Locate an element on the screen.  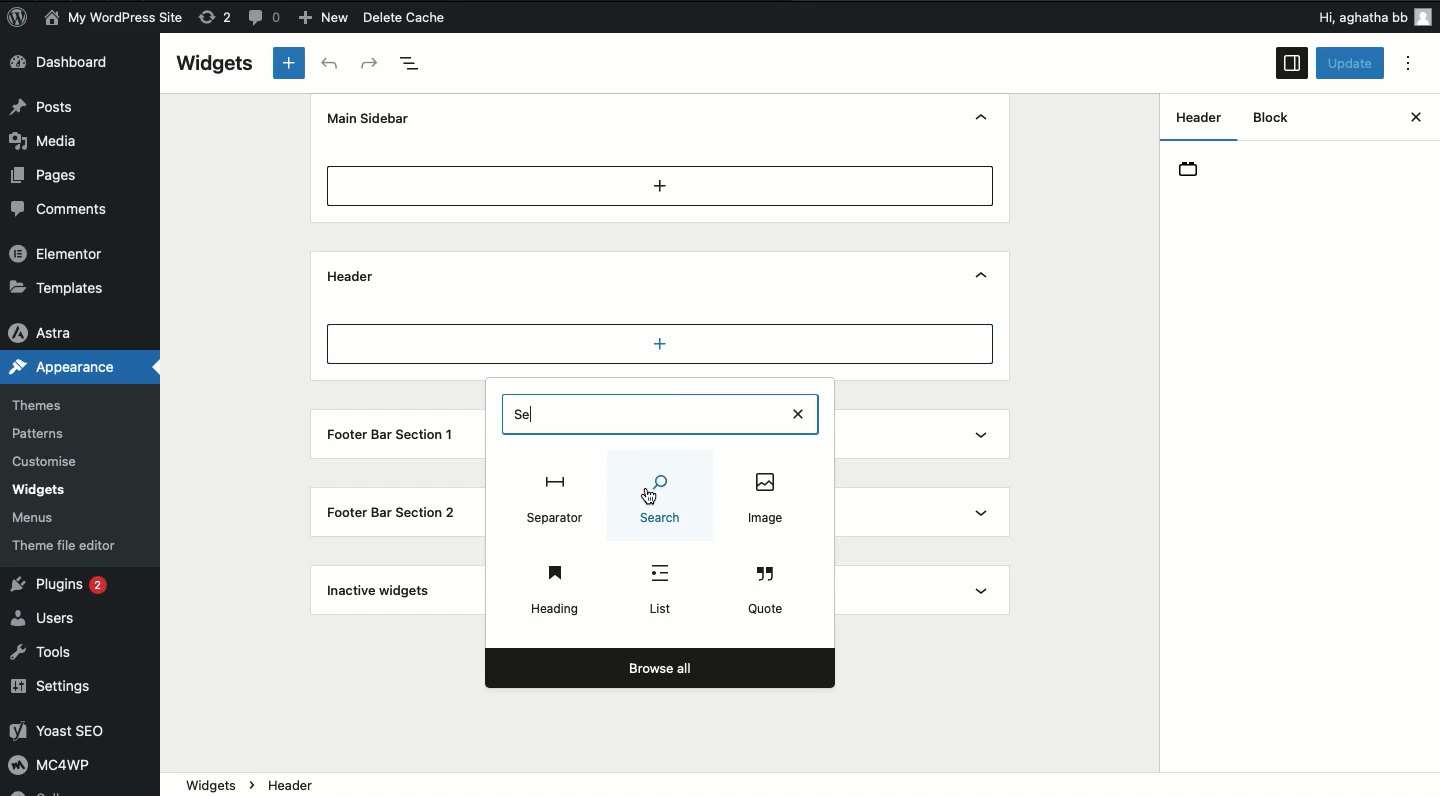
Customise is located at coordinates (49, 460).